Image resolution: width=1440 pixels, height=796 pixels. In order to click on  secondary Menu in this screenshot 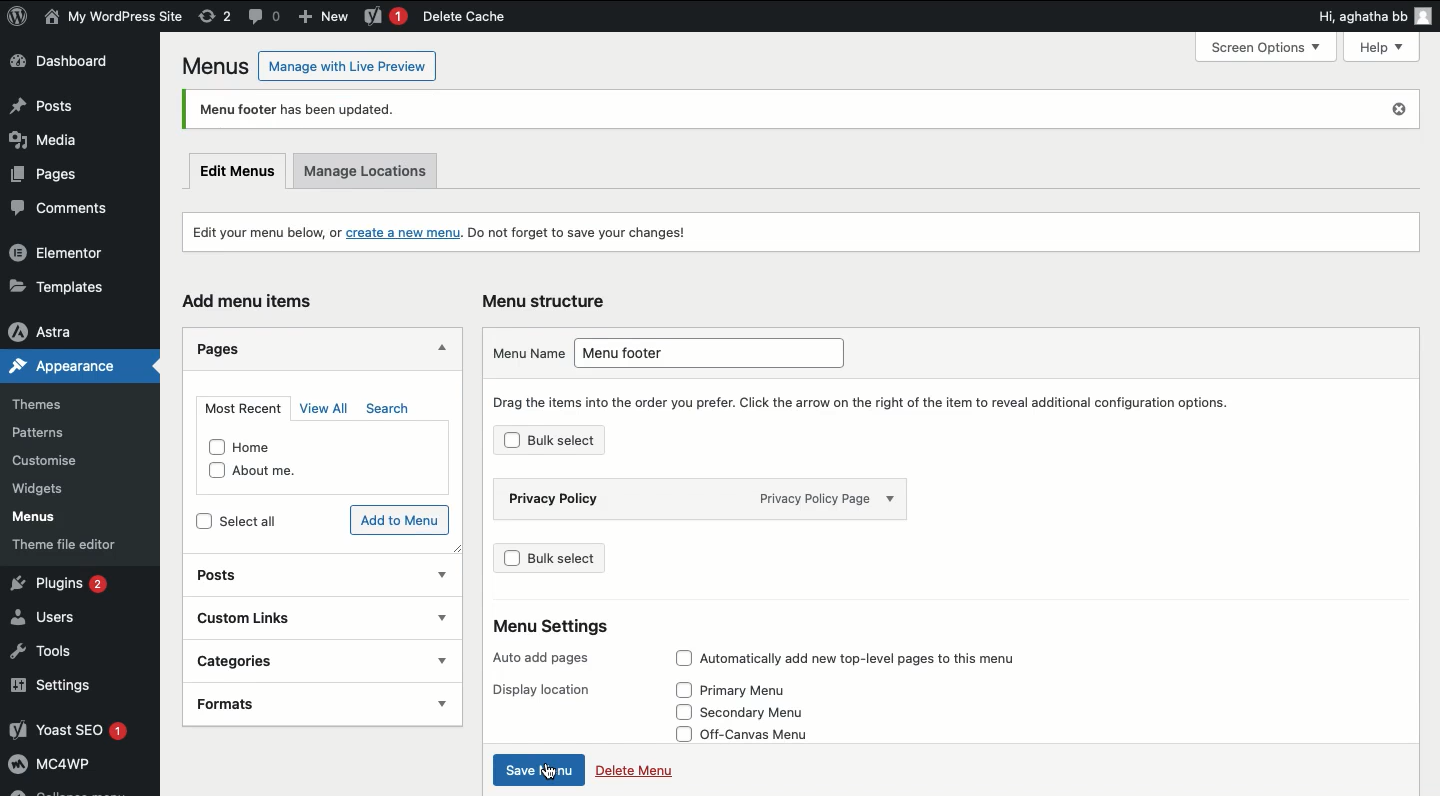, I will do `click(775, 712)`.